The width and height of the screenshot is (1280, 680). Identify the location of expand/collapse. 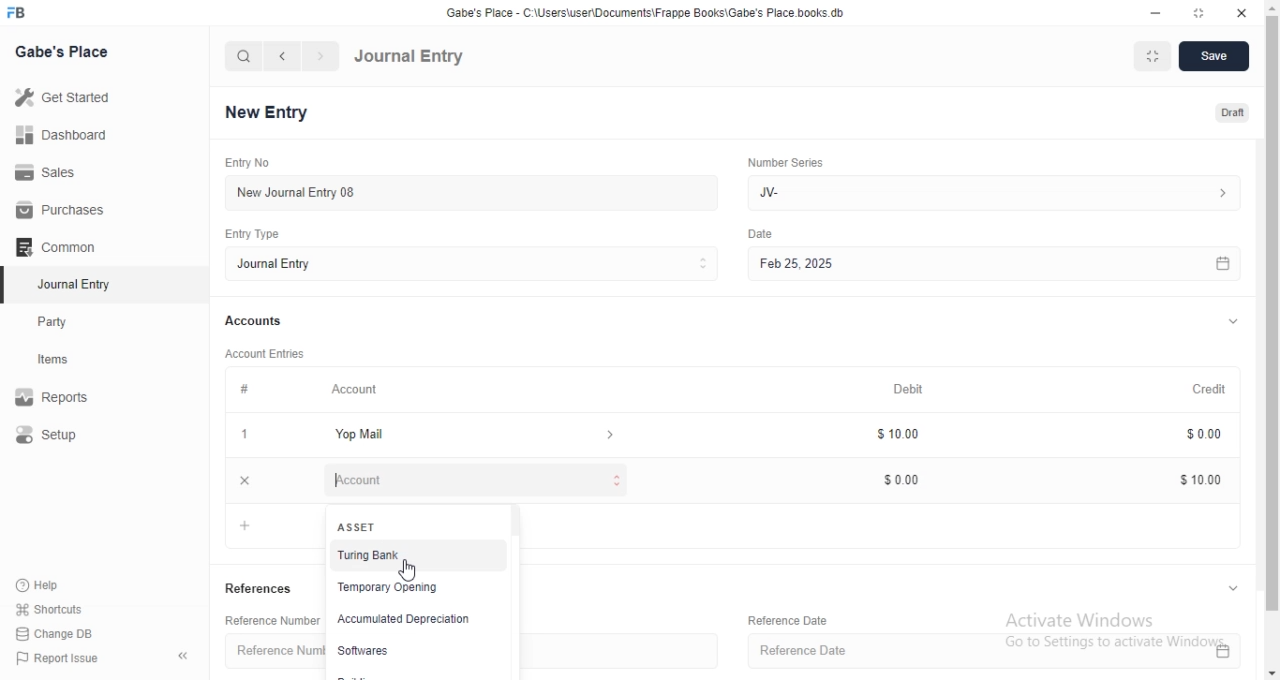
(1237, 323).